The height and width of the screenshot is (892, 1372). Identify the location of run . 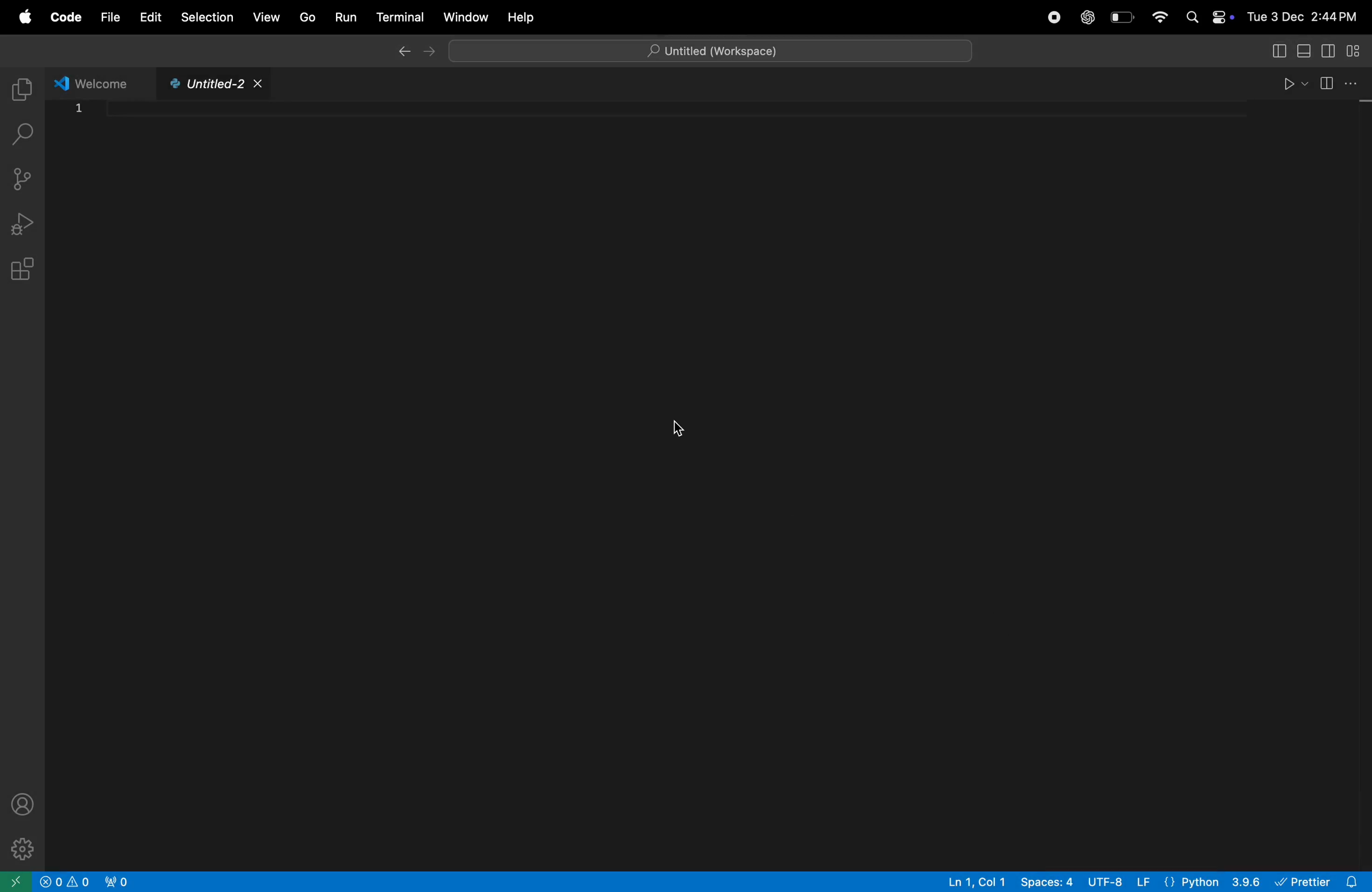
(1290, 82).